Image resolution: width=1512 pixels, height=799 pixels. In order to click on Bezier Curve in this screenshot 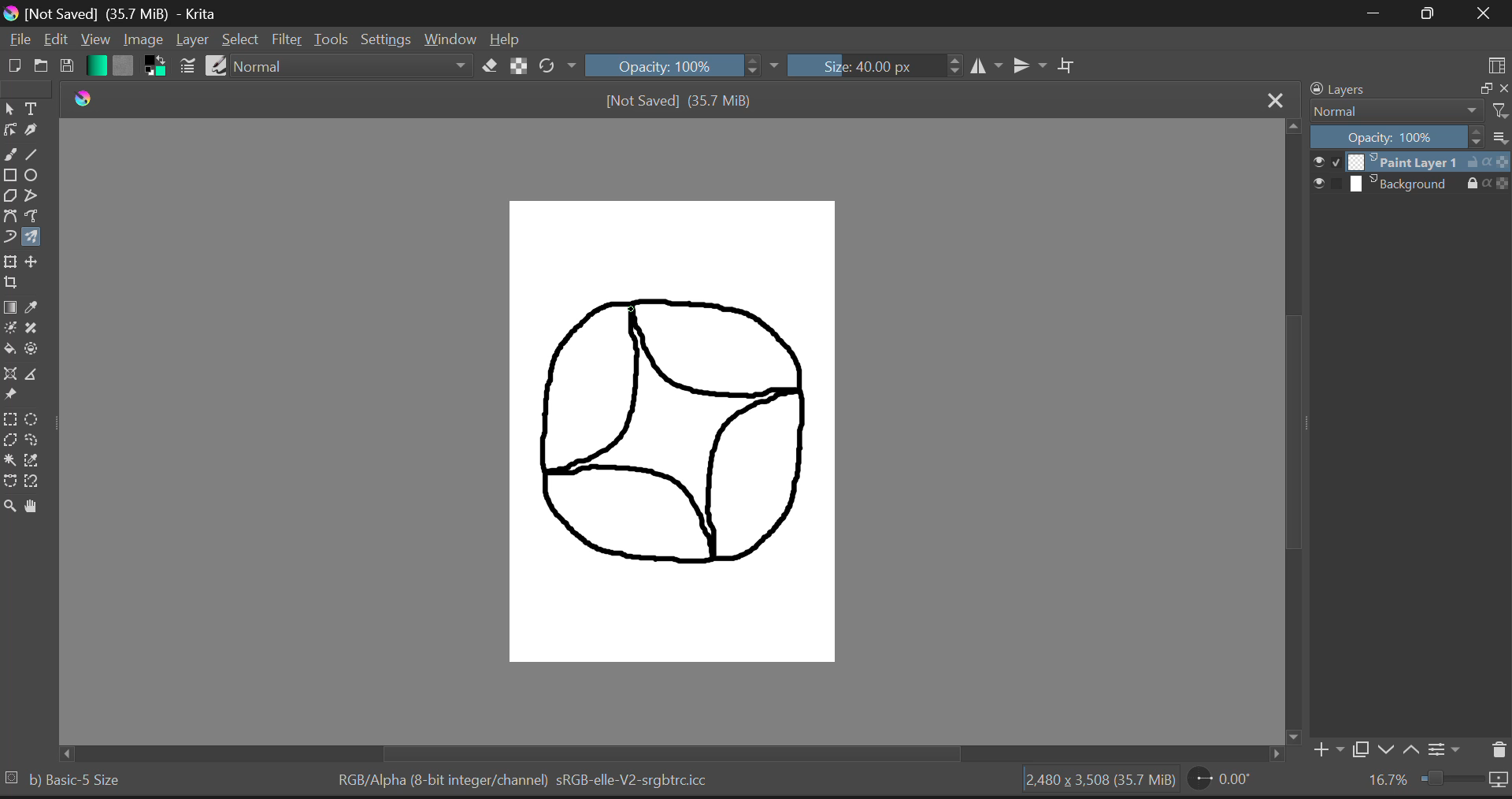, I will do `click(10, 216)`.